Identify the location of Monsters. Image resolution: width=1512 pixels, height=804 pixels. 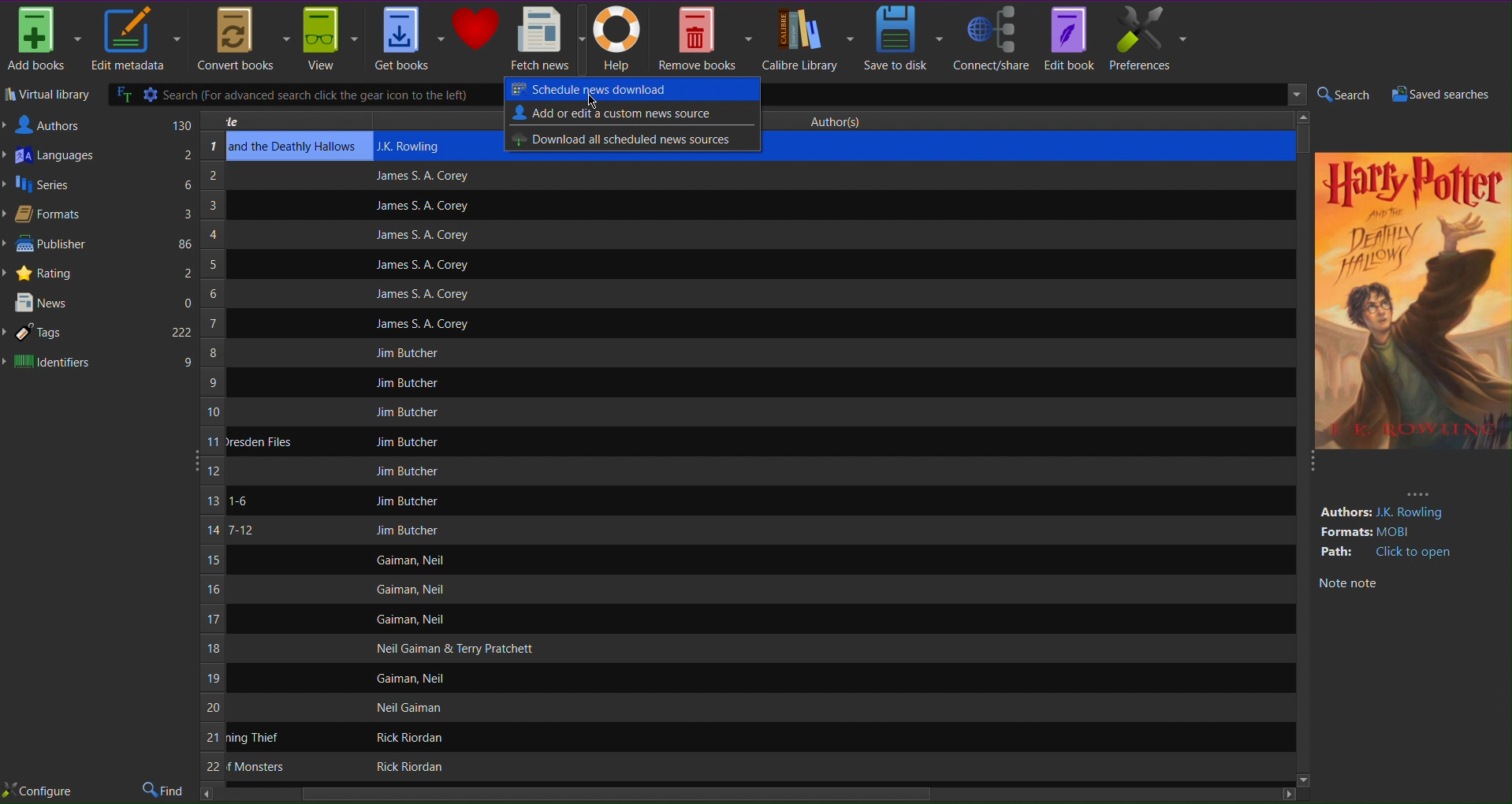
(255, 767).